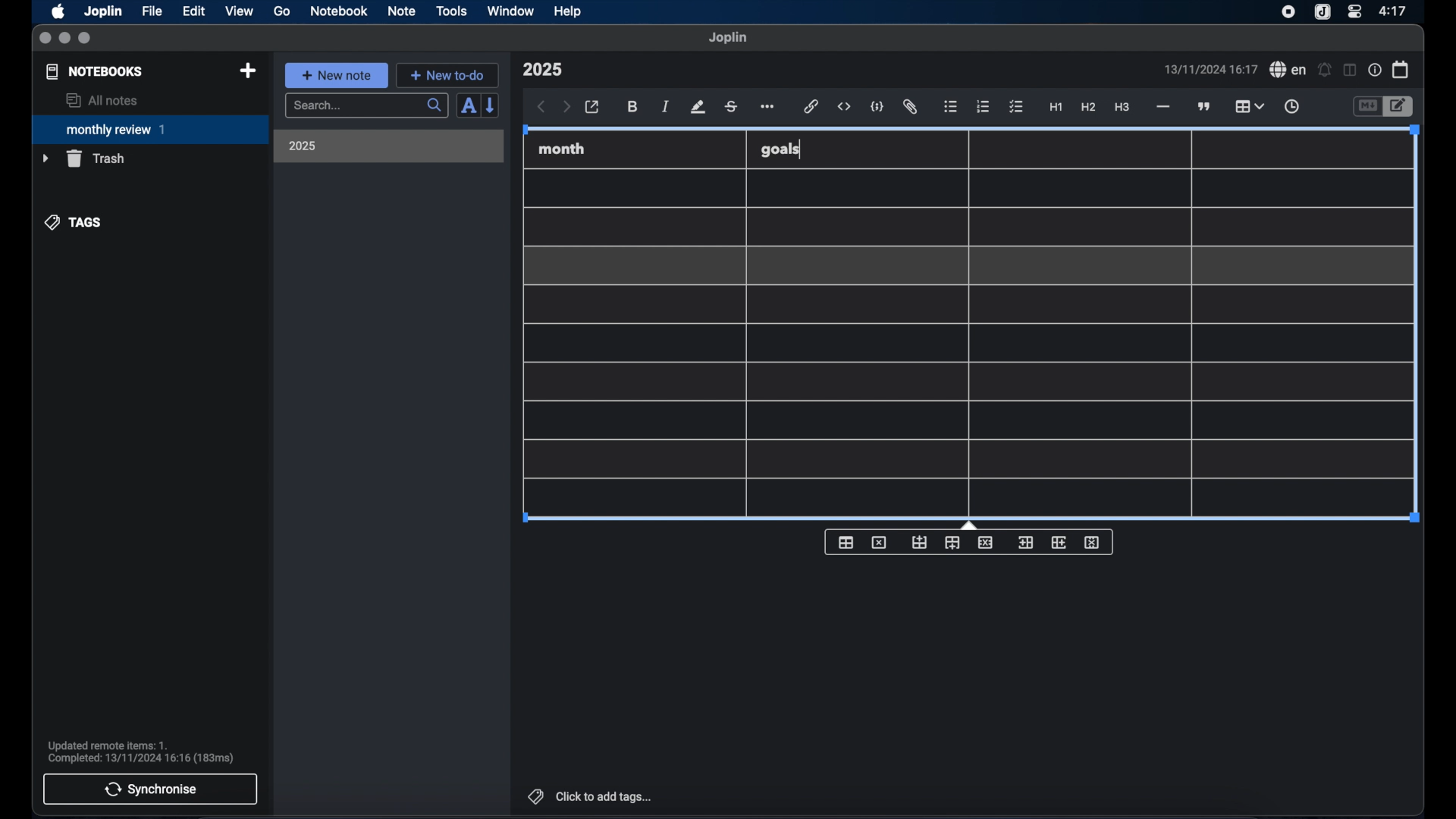  I want to click on sort order field, so click(468, 106).